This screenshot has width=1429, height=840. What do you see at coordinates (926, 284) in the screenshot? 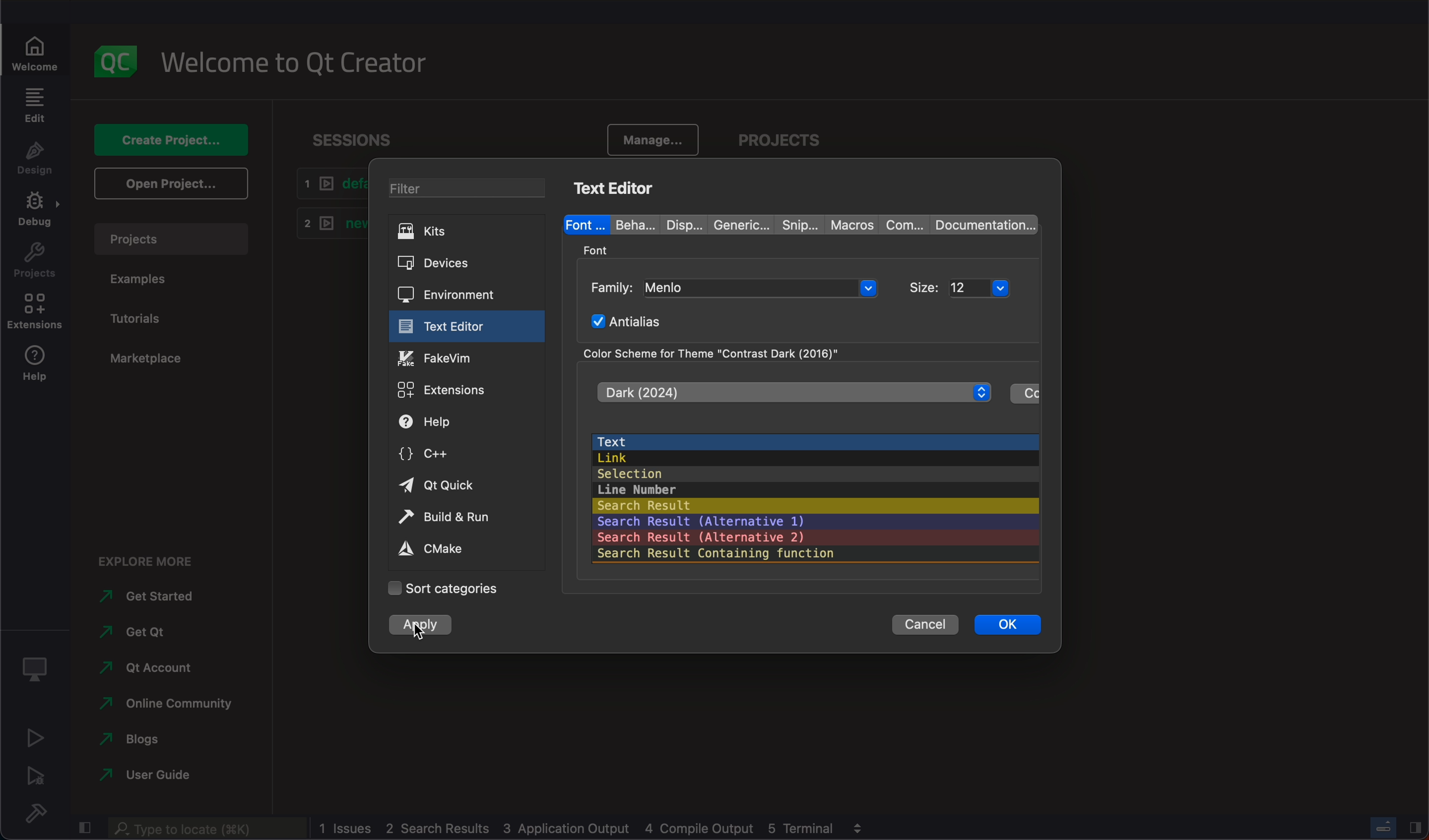
I see `size` at bounding box center [926, 284].